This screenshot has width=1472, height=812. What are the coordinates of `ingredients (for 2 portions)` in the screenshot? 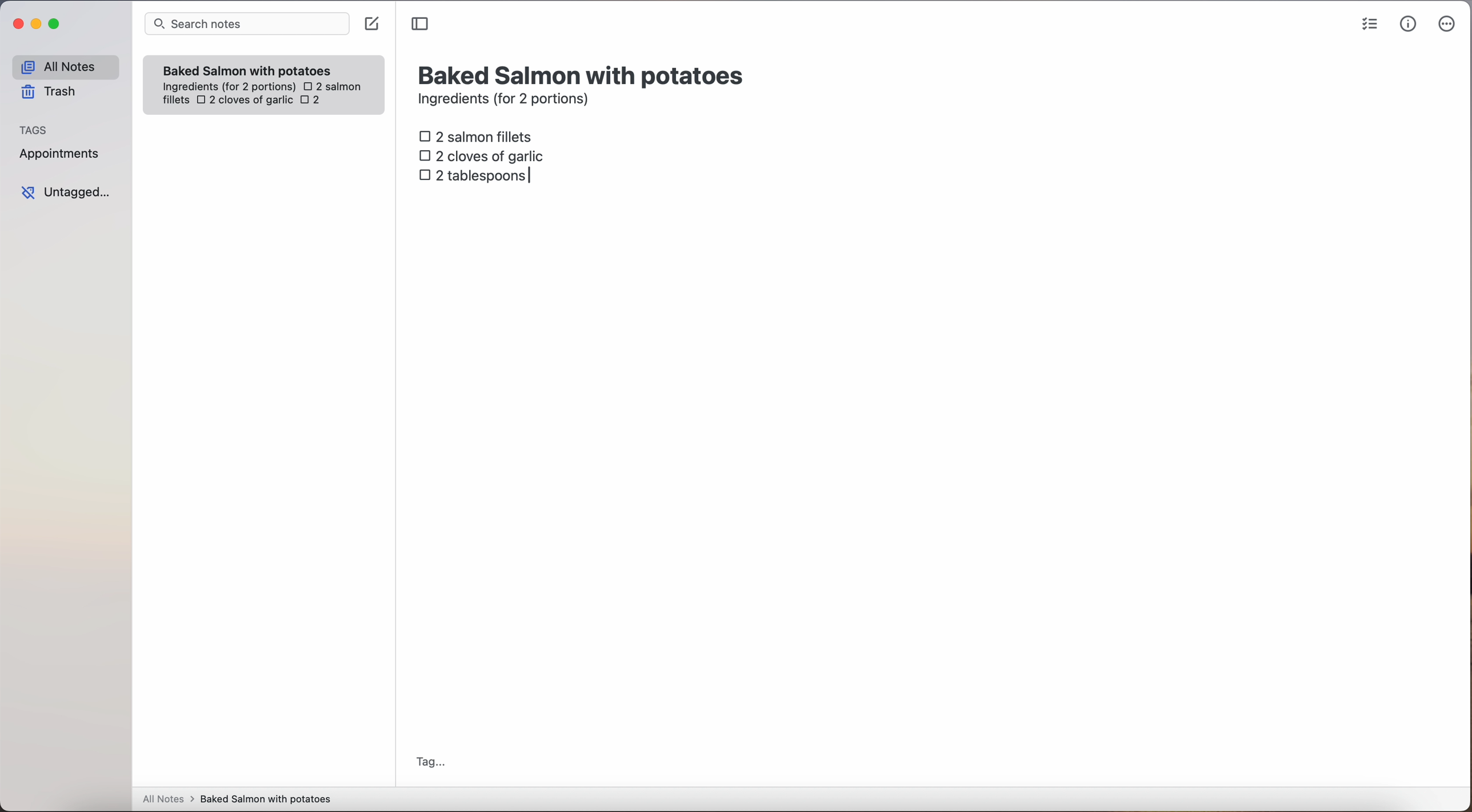 It's located at (507, 101).